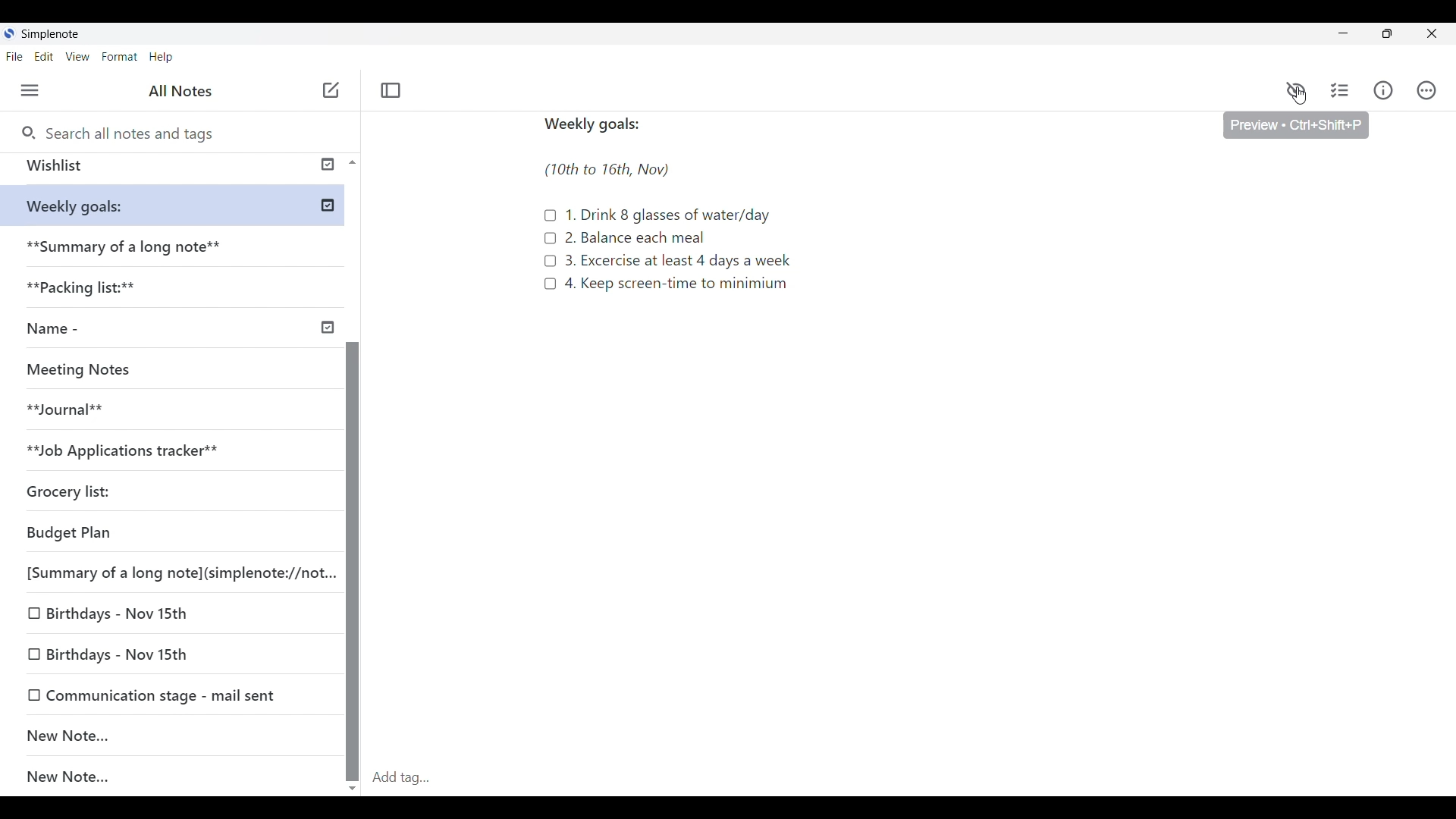 Image resolution: width=1456 pixels, height=819 pixels. I want to click on Wishlist, so click(168, 169).